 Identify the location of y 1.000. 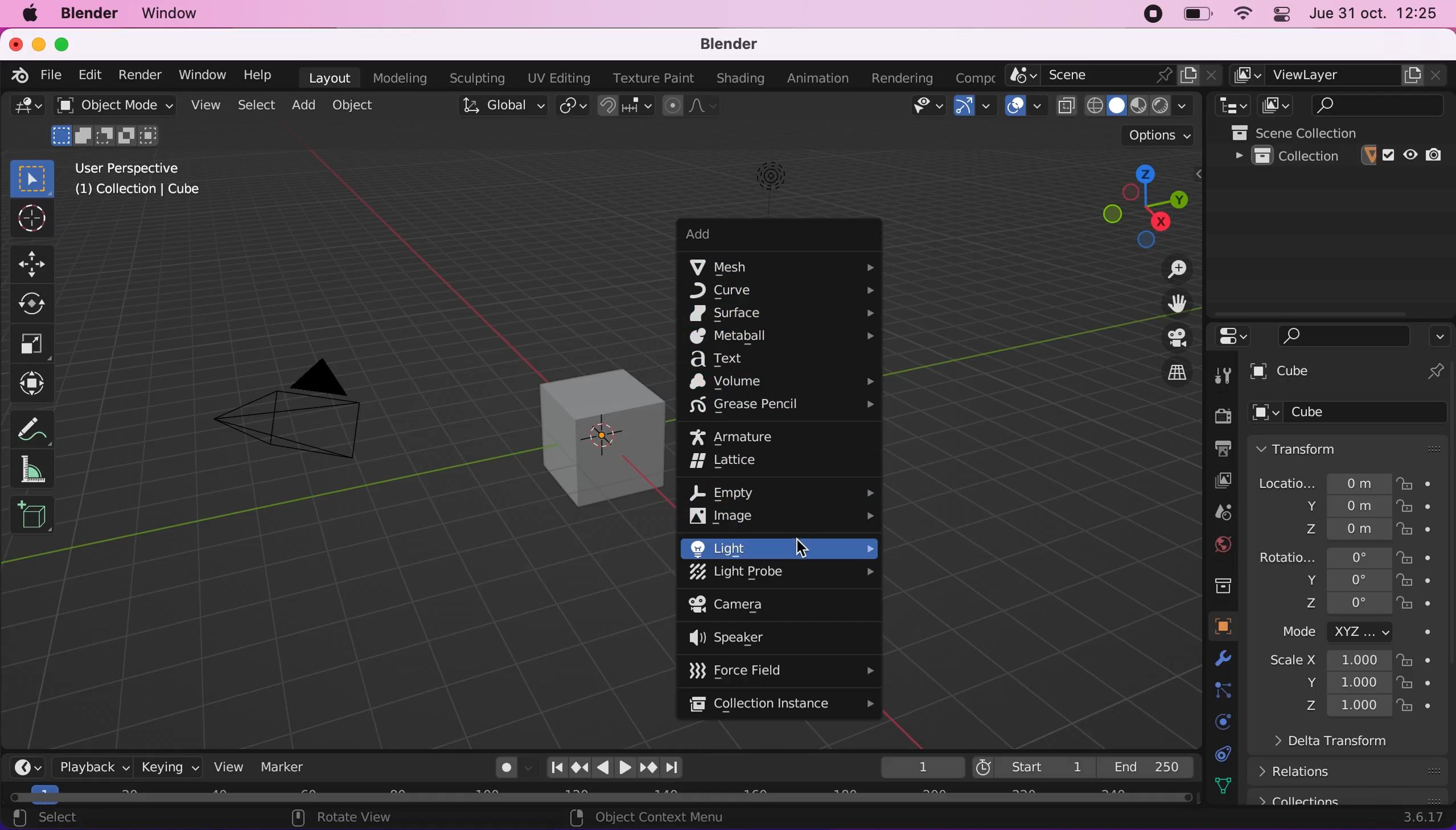
(1344, 684).